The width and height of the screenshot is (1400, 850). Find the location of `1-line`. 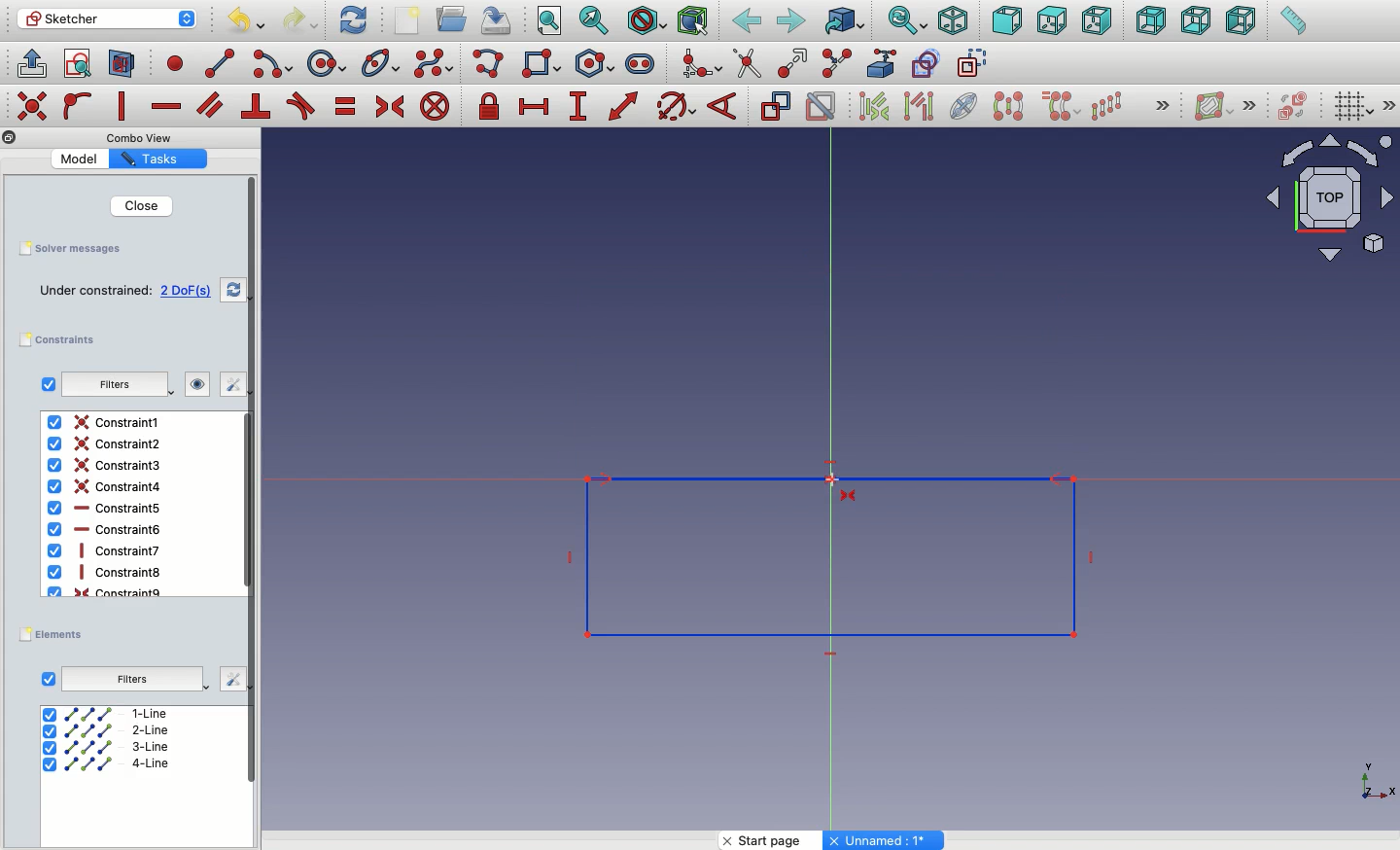

1-line is located at coordinates (108, 713).